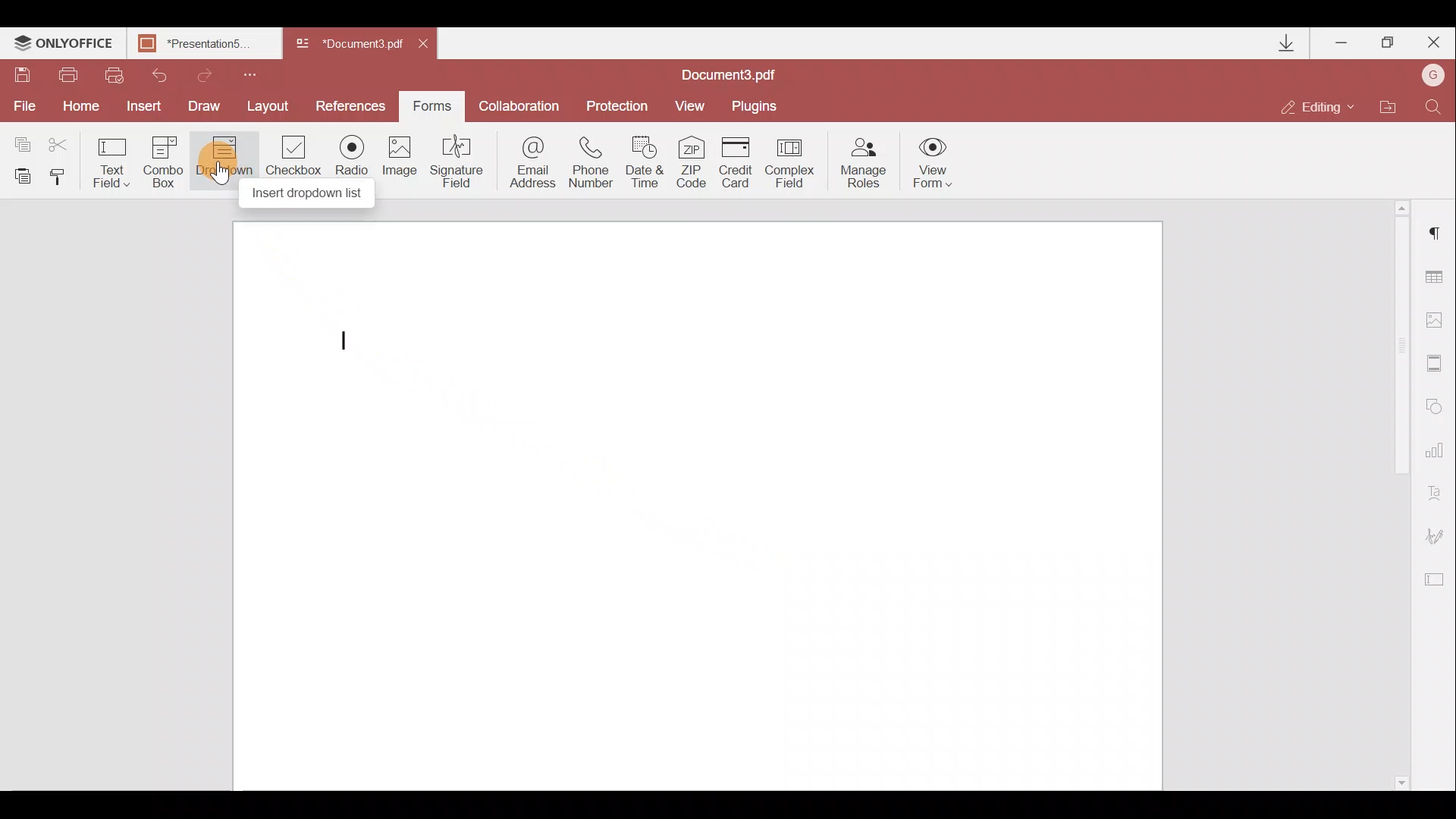  I want to click on Checkbox, so click(294, 157).